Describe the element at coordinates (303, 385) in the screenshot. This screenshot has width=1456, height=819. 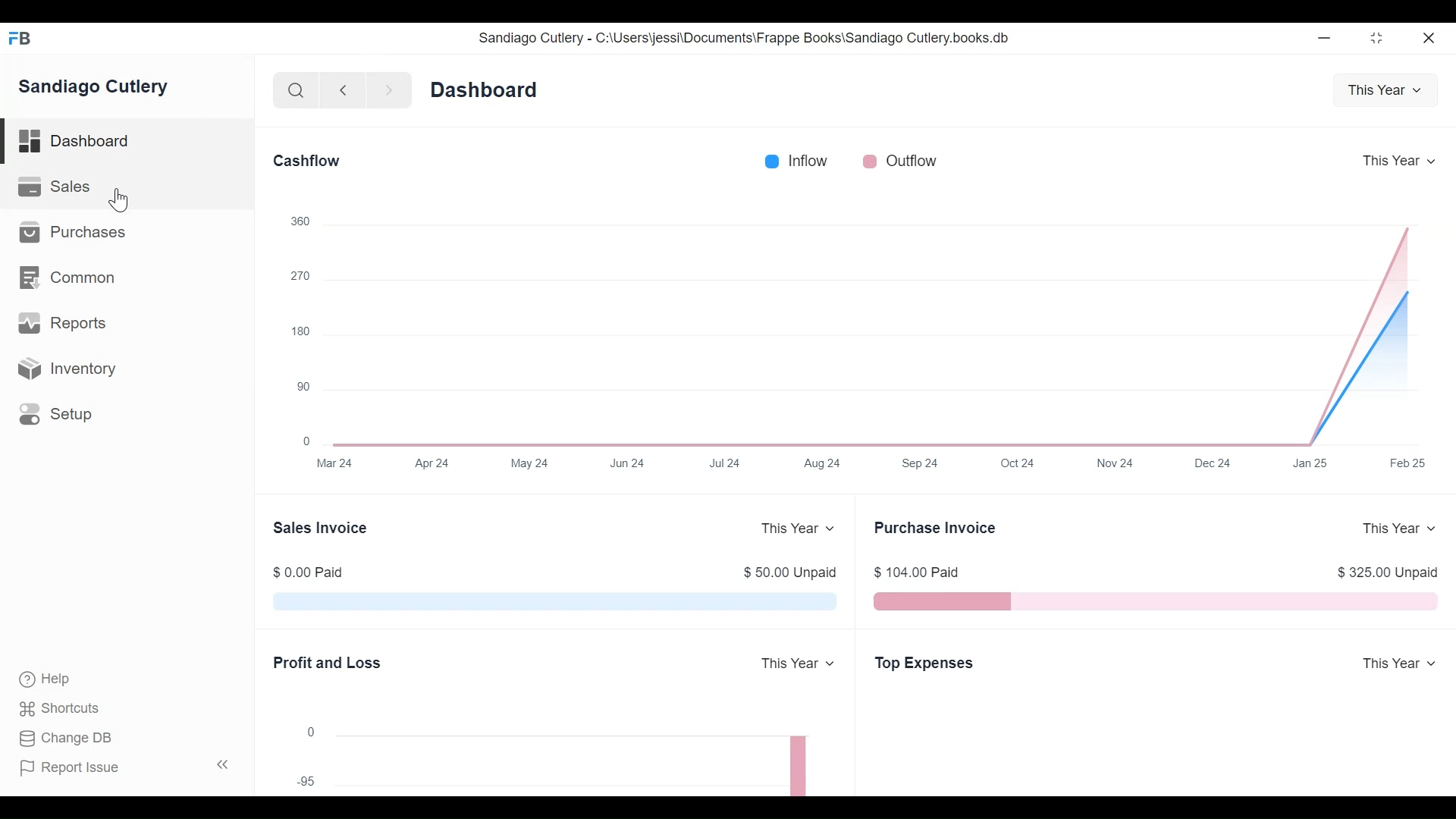
I see `90` at that location.